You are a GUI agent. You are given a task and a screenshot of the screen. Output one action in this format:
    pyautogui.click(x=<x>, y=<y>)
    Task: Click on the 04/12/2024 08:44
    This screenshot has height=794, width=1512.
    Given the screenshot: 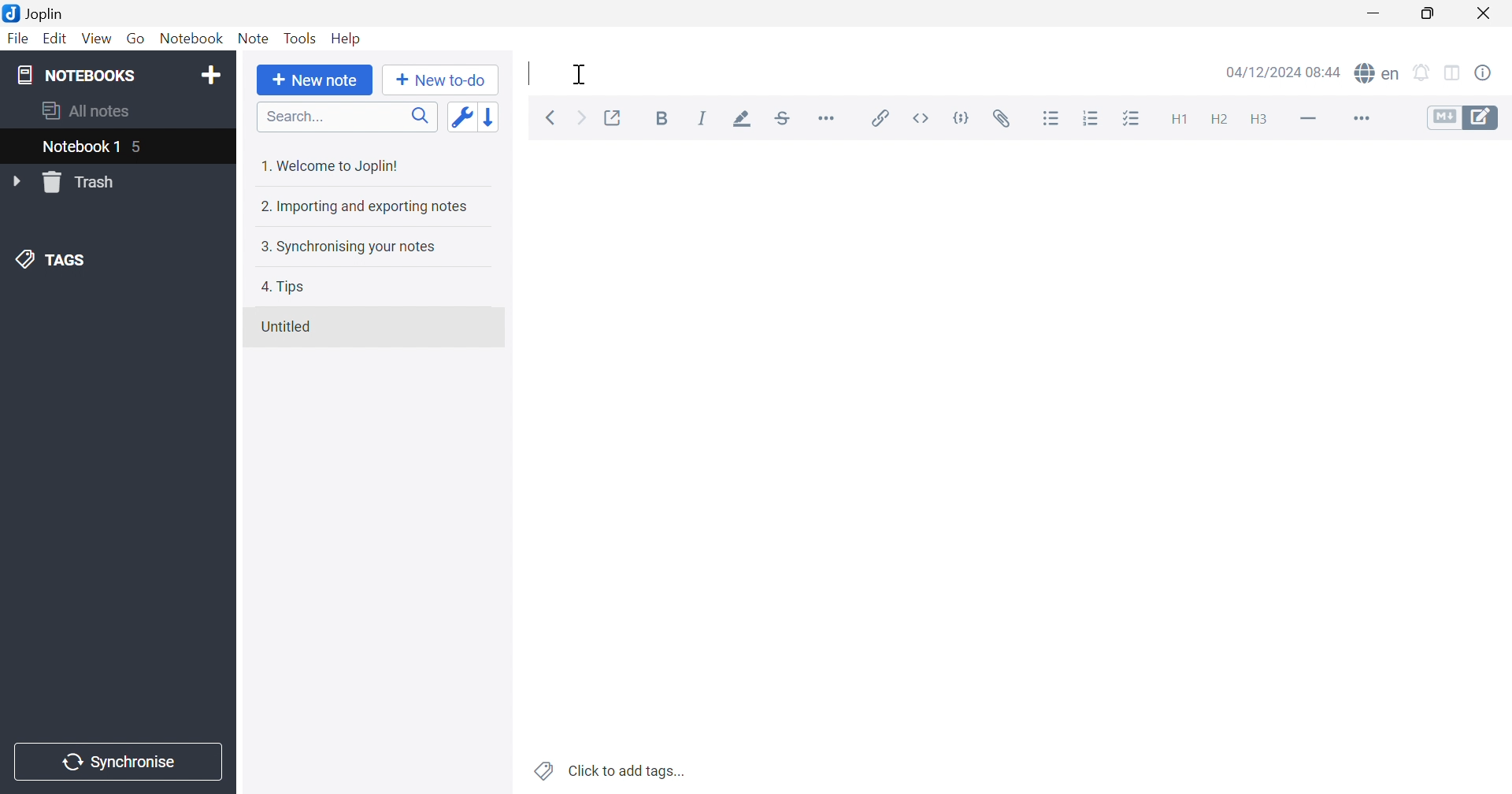 What is the action you would take?
    pyautogui.click(x=1281, y=72)
    